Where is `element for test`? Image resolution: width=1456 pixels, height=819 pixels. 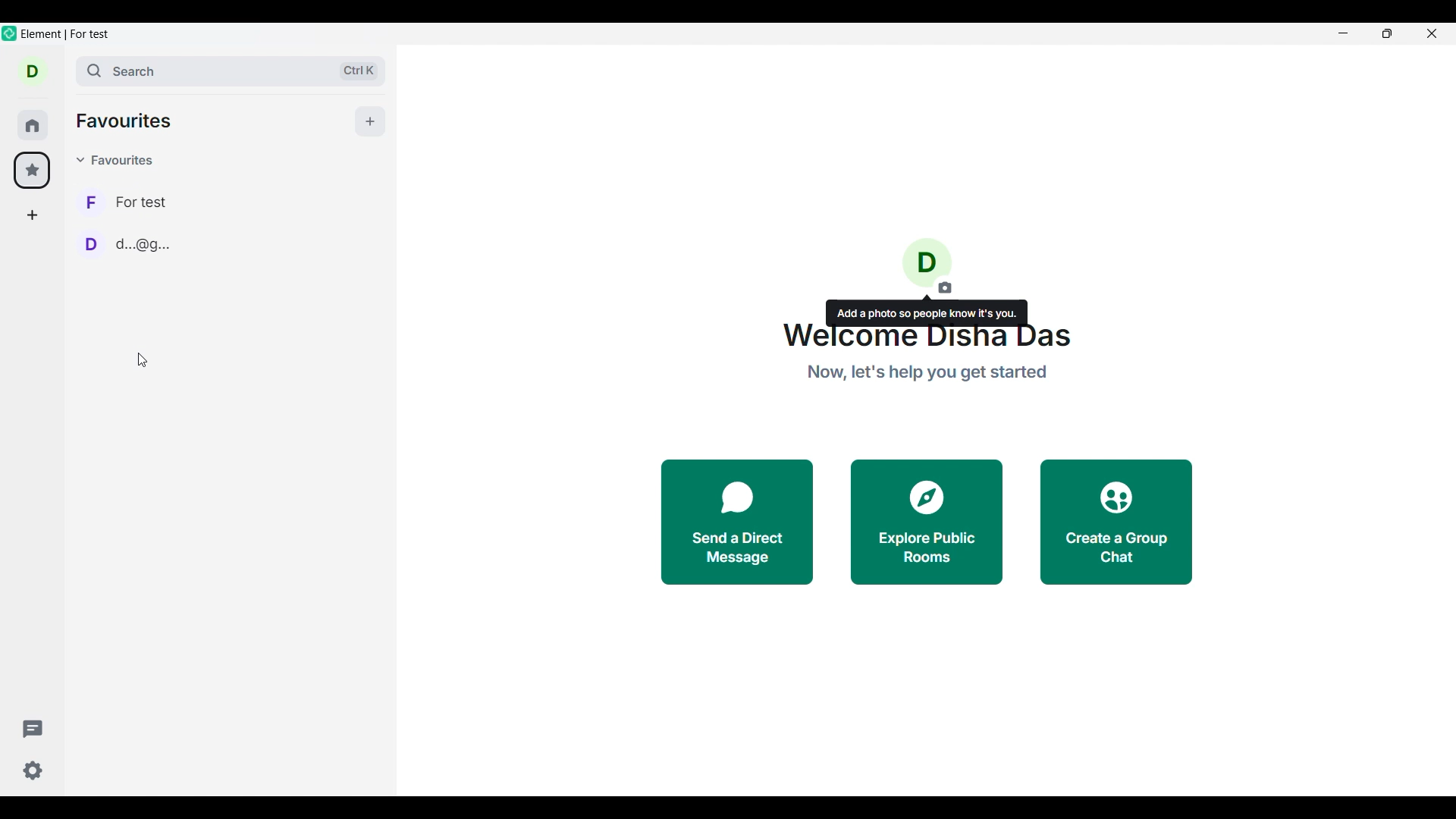 element for test is located at coordinates (67, 34).